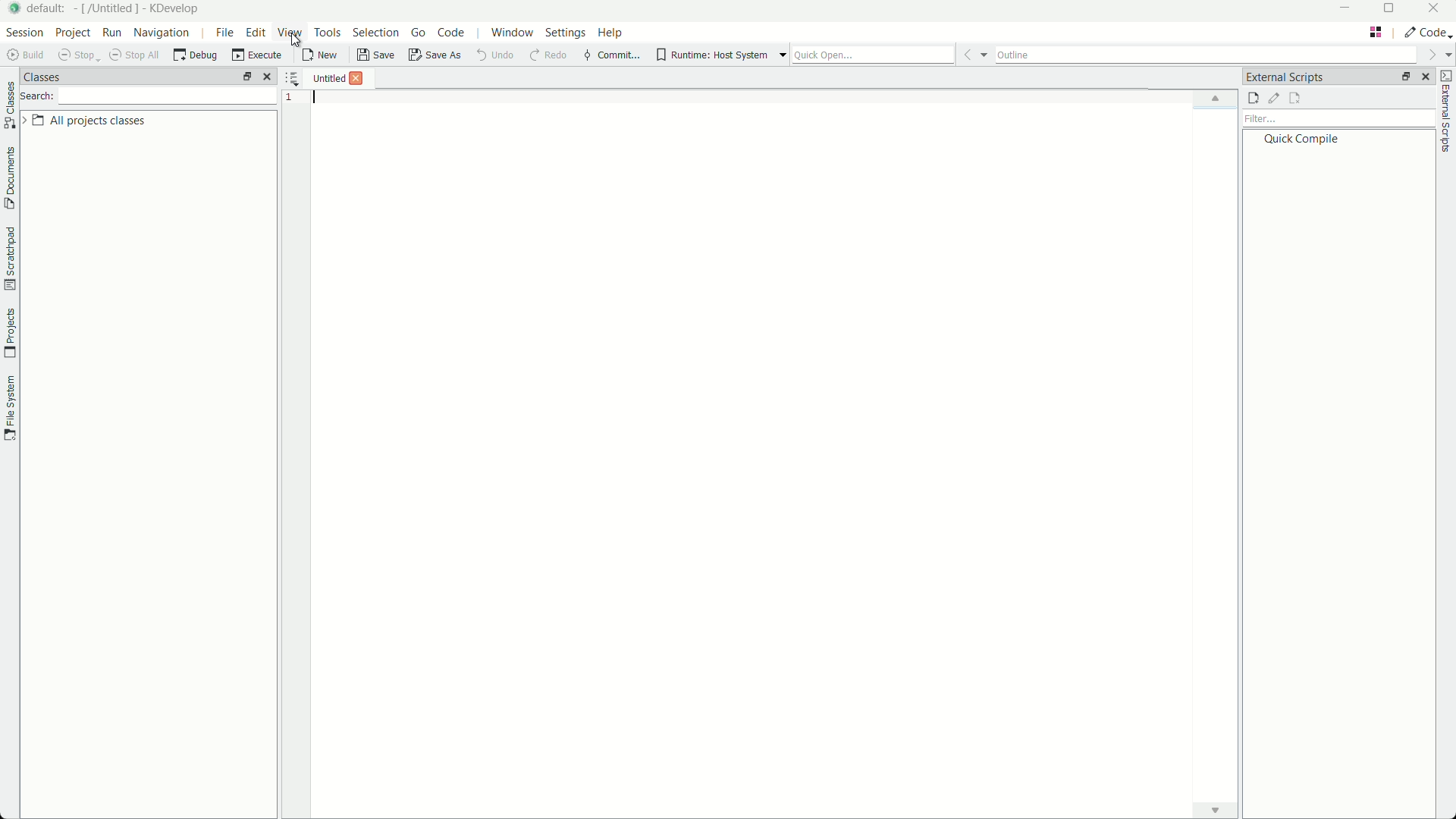  I want to click on file system, so click(9, 409).